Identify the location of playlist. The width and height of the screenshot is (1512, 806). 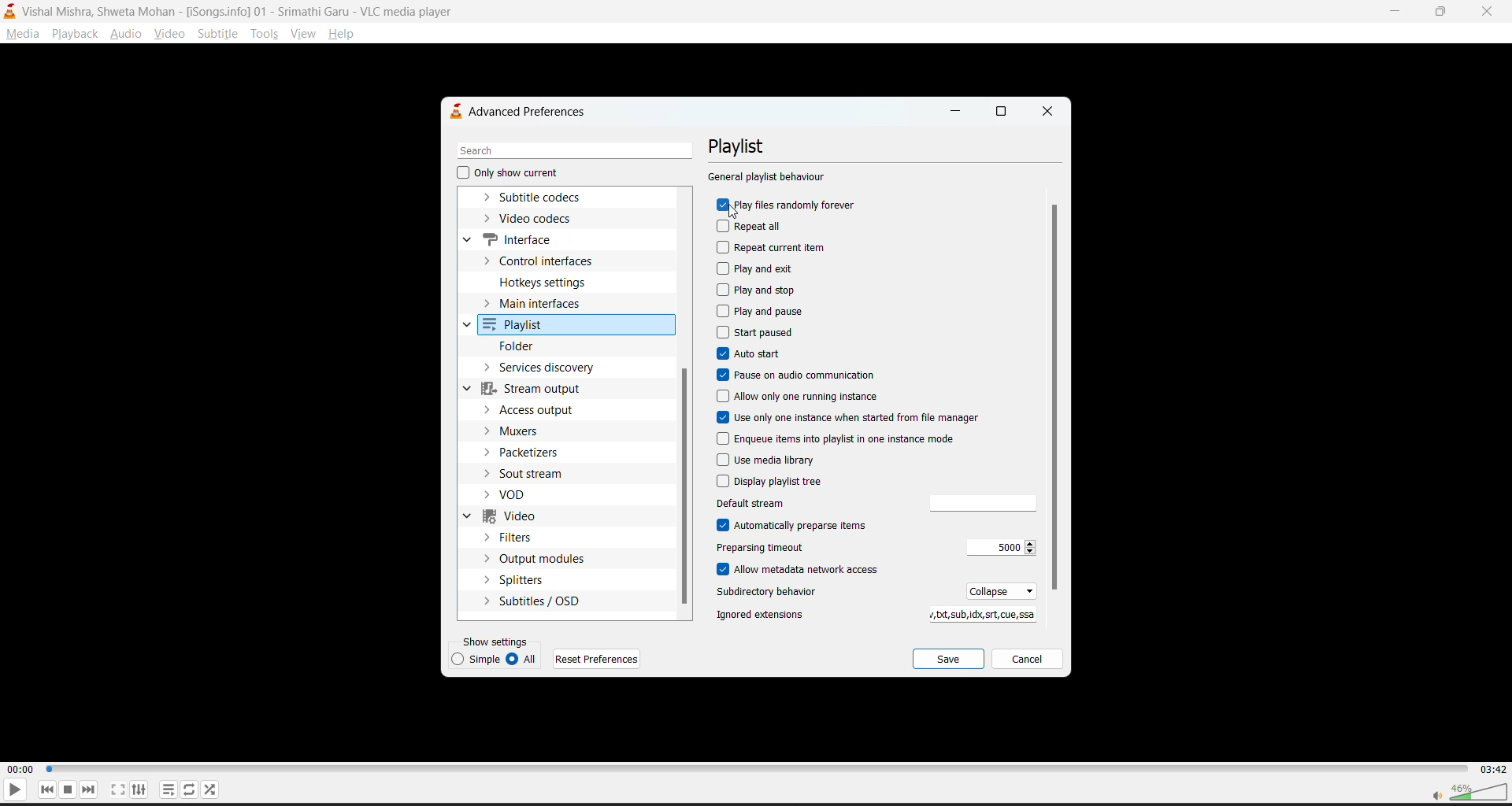
(165, 788).